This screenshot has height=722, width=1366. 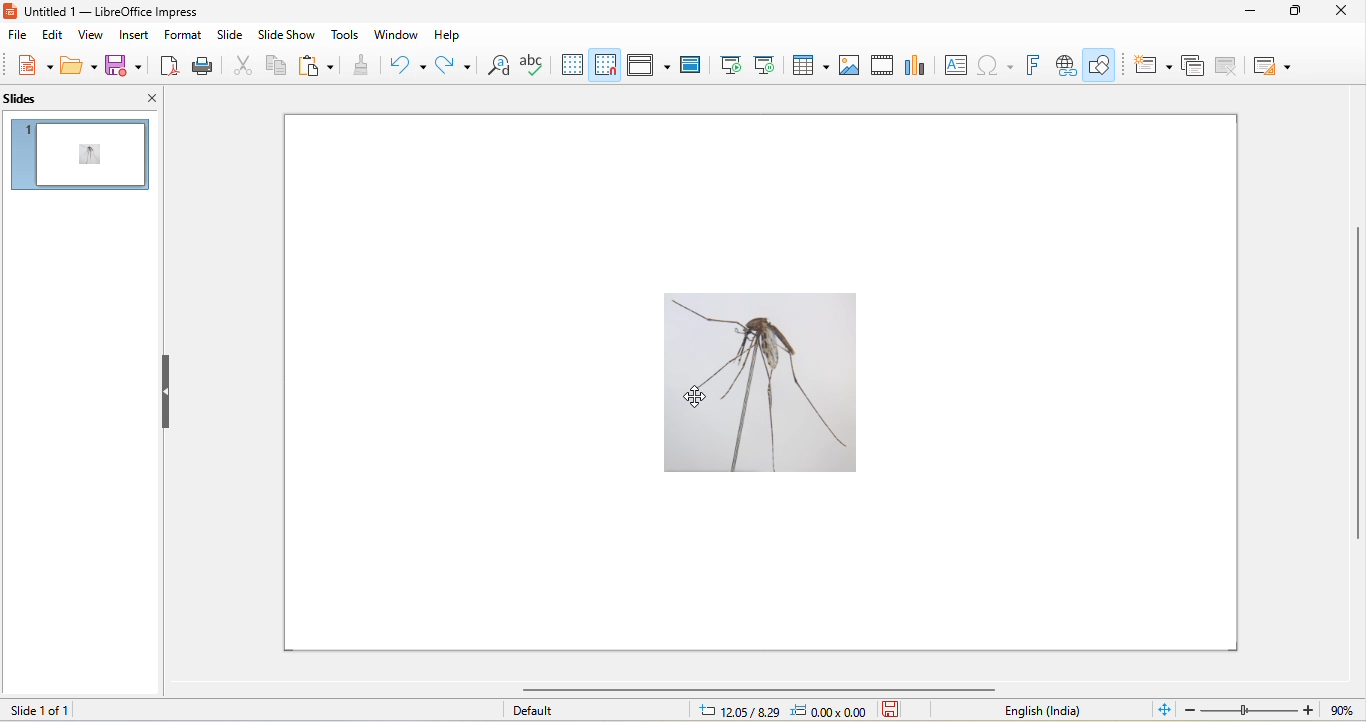 What do you see at coordinates (995, 65) in the screenshot?
I see `insert special characters` at bounding box center [995, 65].